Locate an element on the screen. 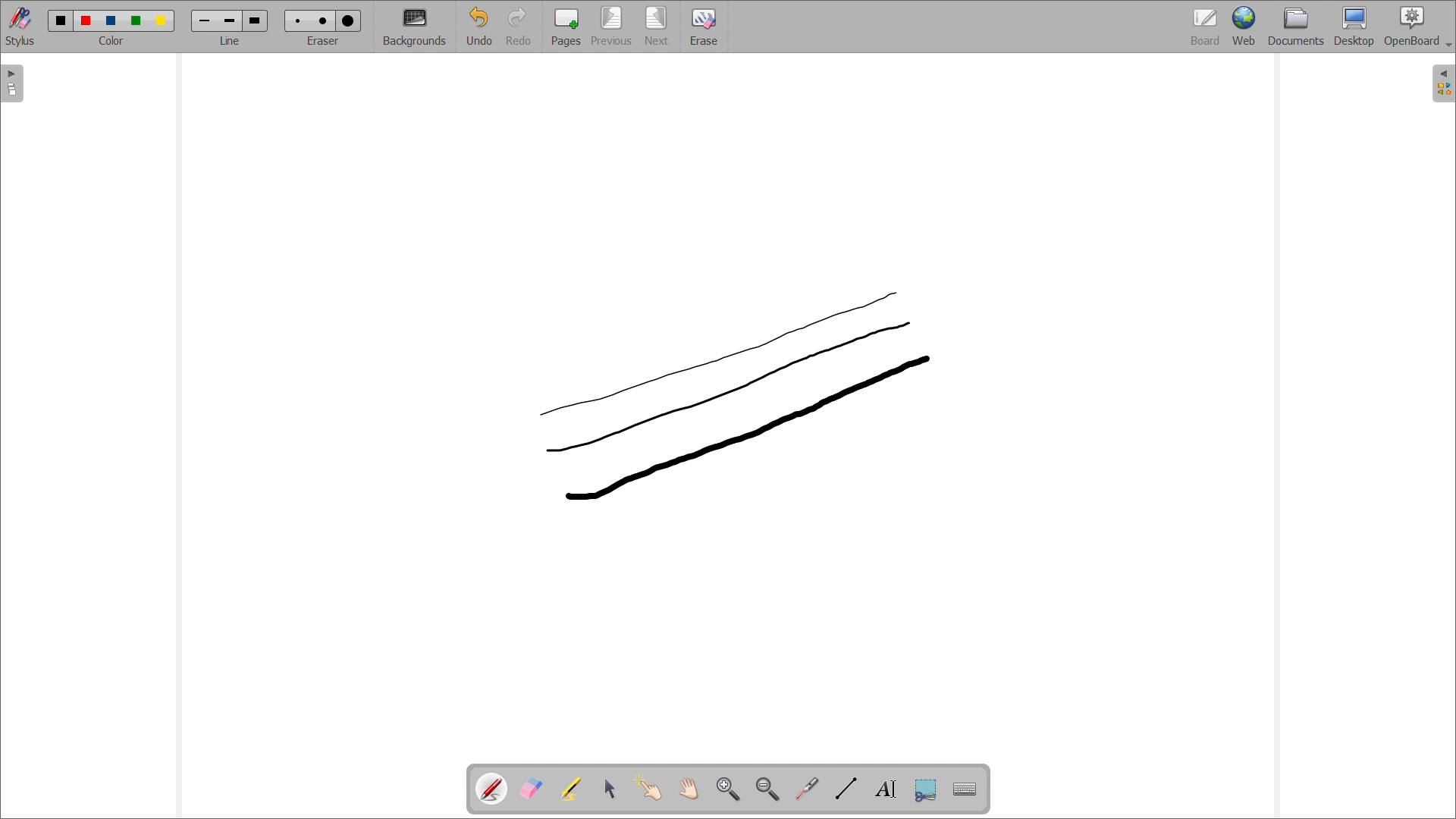 The width and height of the screenshot is (1456, 819). web is located at coordinates (1244, 27).